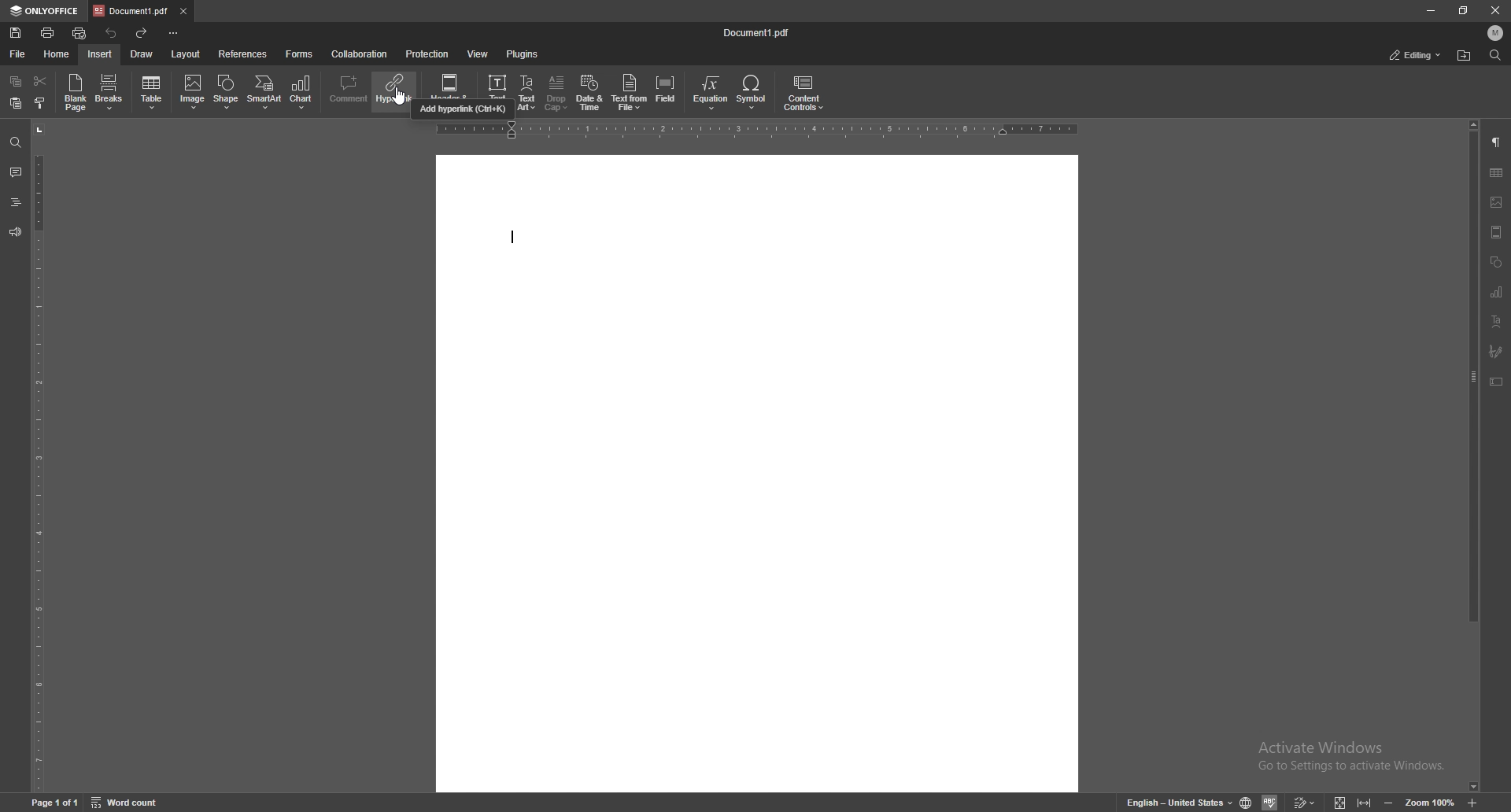 The image size is (1511, 812). What do you see at coordinates (1498, 321) in the screenshot?
I see `text align` at bounding box center [1498, 321].